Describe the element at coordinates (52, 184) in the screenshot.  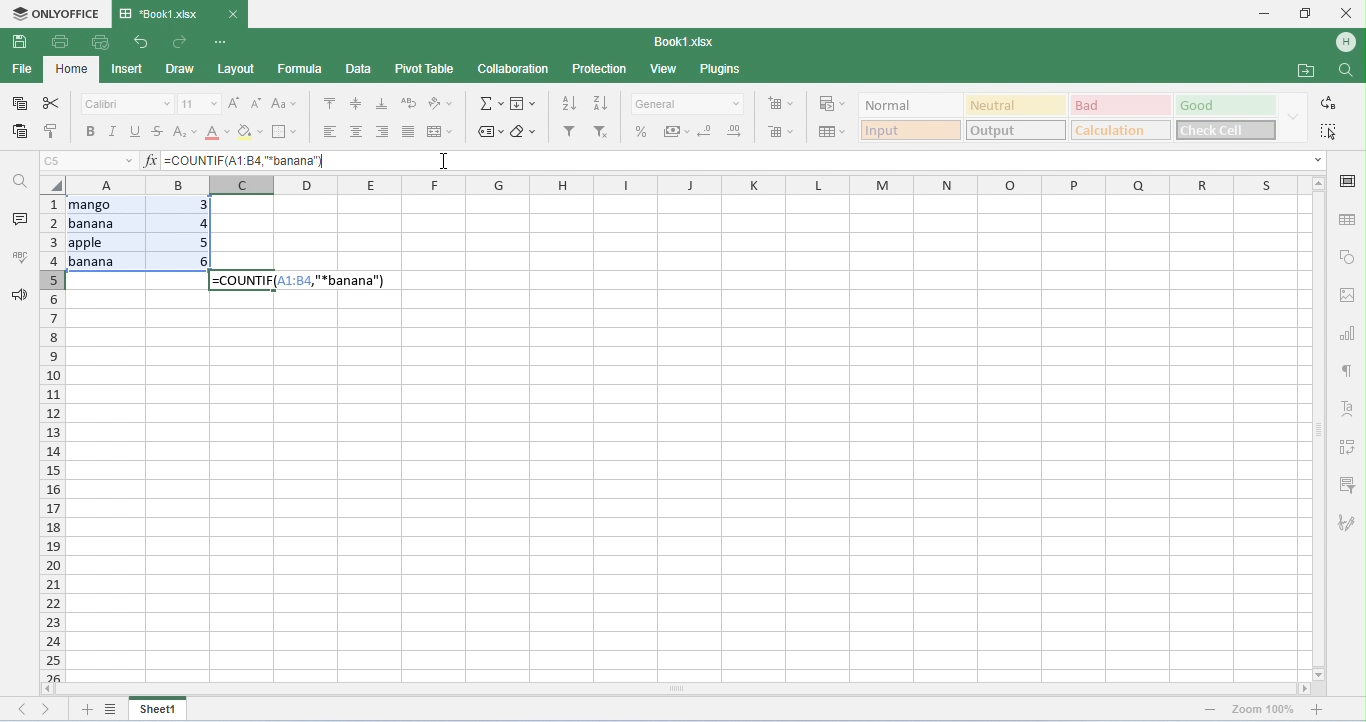
I see `select all cells` at that location.